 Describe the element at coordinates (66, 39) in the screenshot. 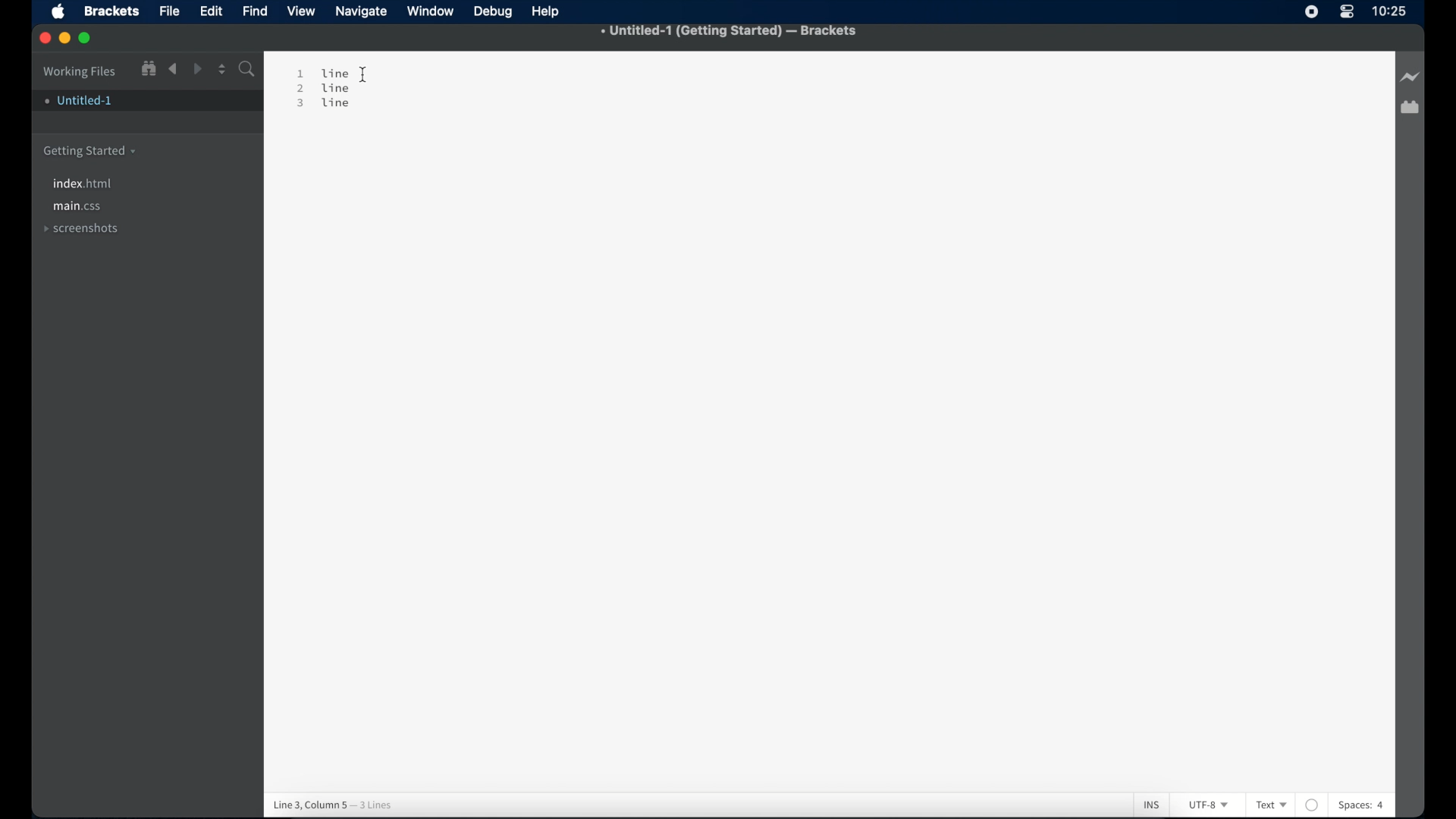

I see `minimize` at that location.